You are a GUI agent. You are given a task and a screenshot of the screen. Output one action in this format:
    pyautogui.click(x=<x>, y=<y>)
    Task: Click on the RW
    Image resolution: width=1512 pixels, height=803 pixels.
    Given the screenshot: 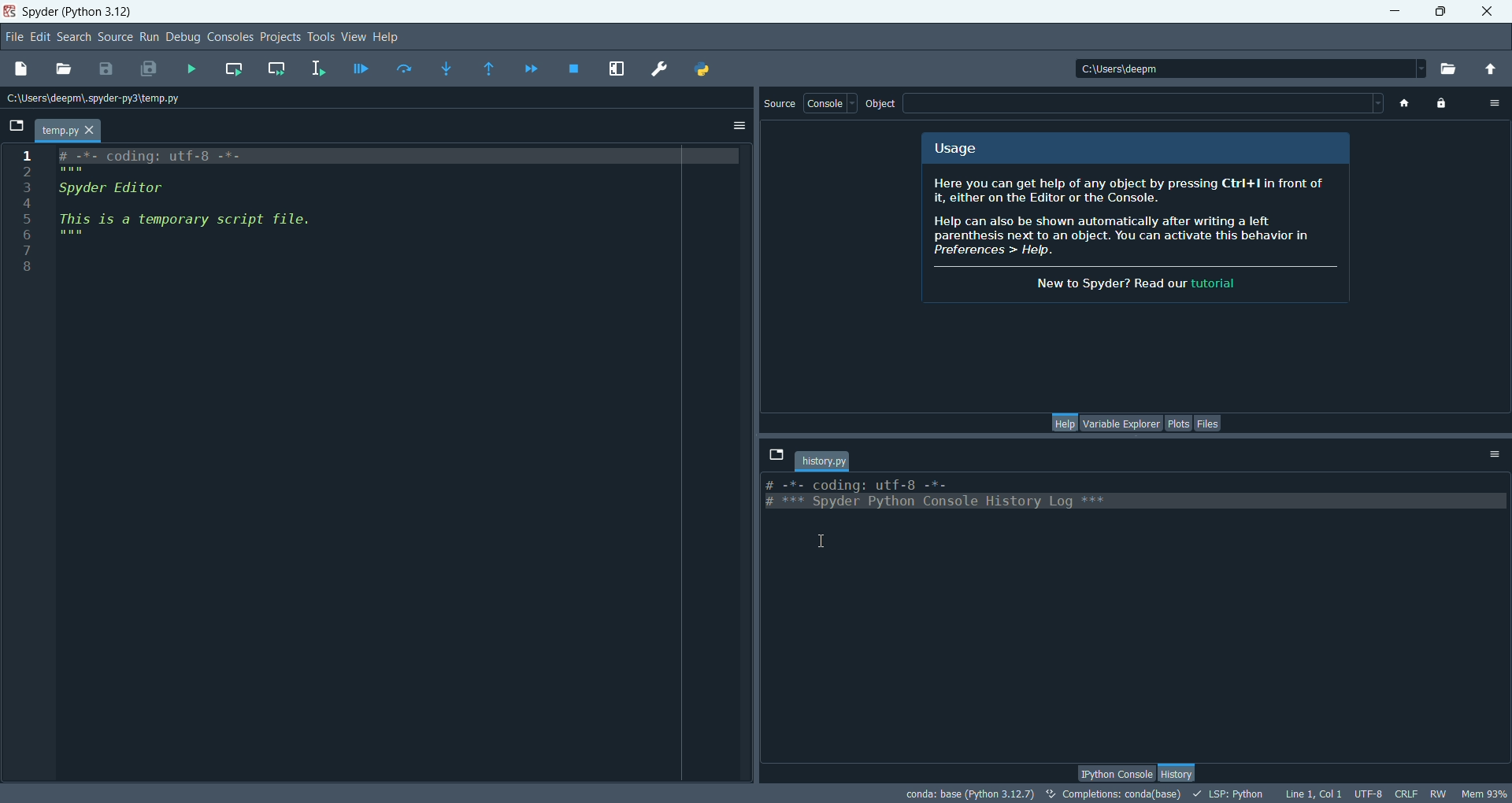 What is the action you would take?
    pyautogui.click(x=1440, y=794)
    